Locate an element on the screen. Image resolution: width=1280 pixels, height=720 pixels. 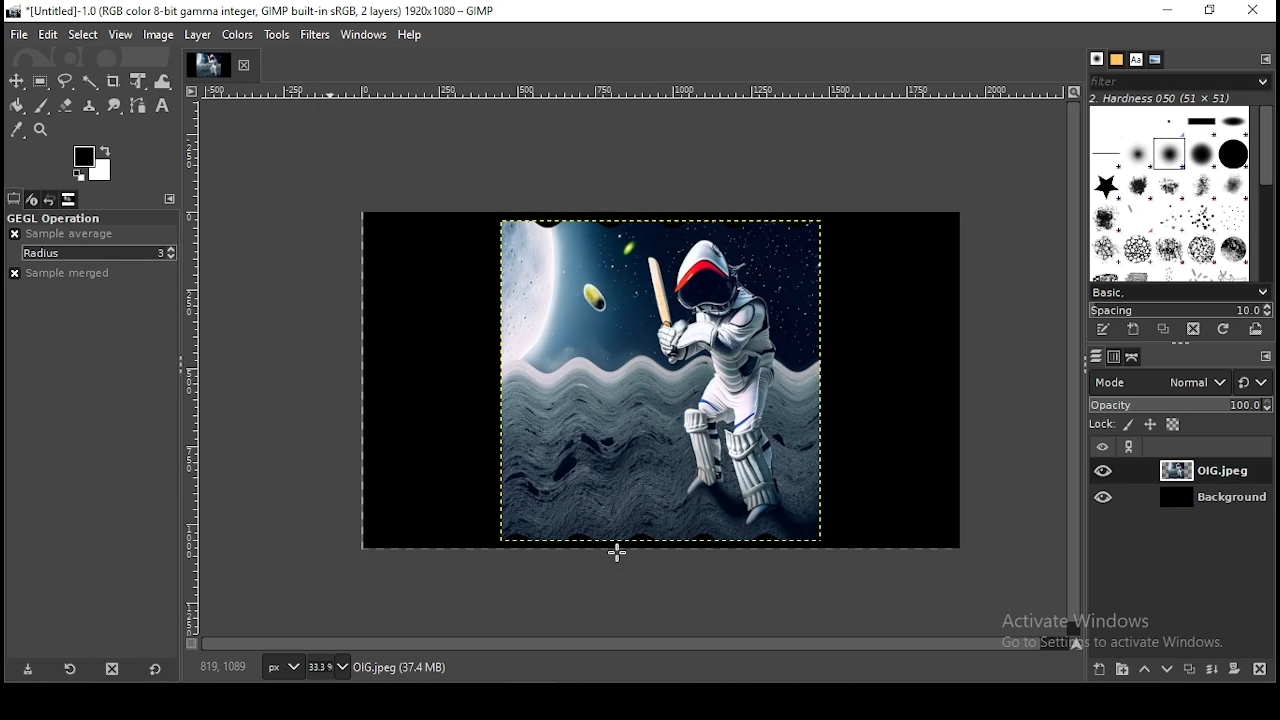
radius is located at coordinates (100, 253).